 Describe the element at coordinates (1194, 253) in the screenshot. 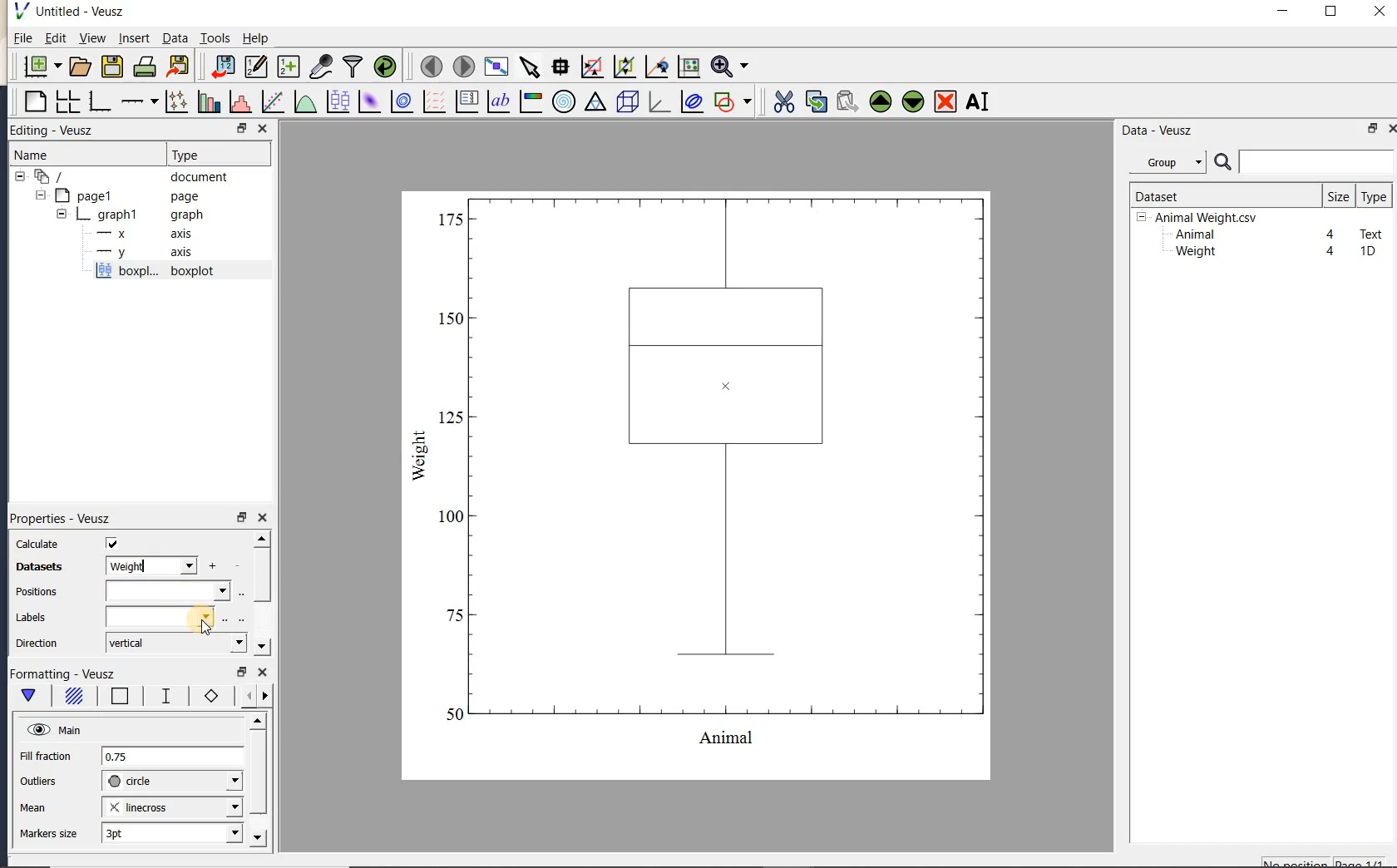

I see `Weight` at that location.